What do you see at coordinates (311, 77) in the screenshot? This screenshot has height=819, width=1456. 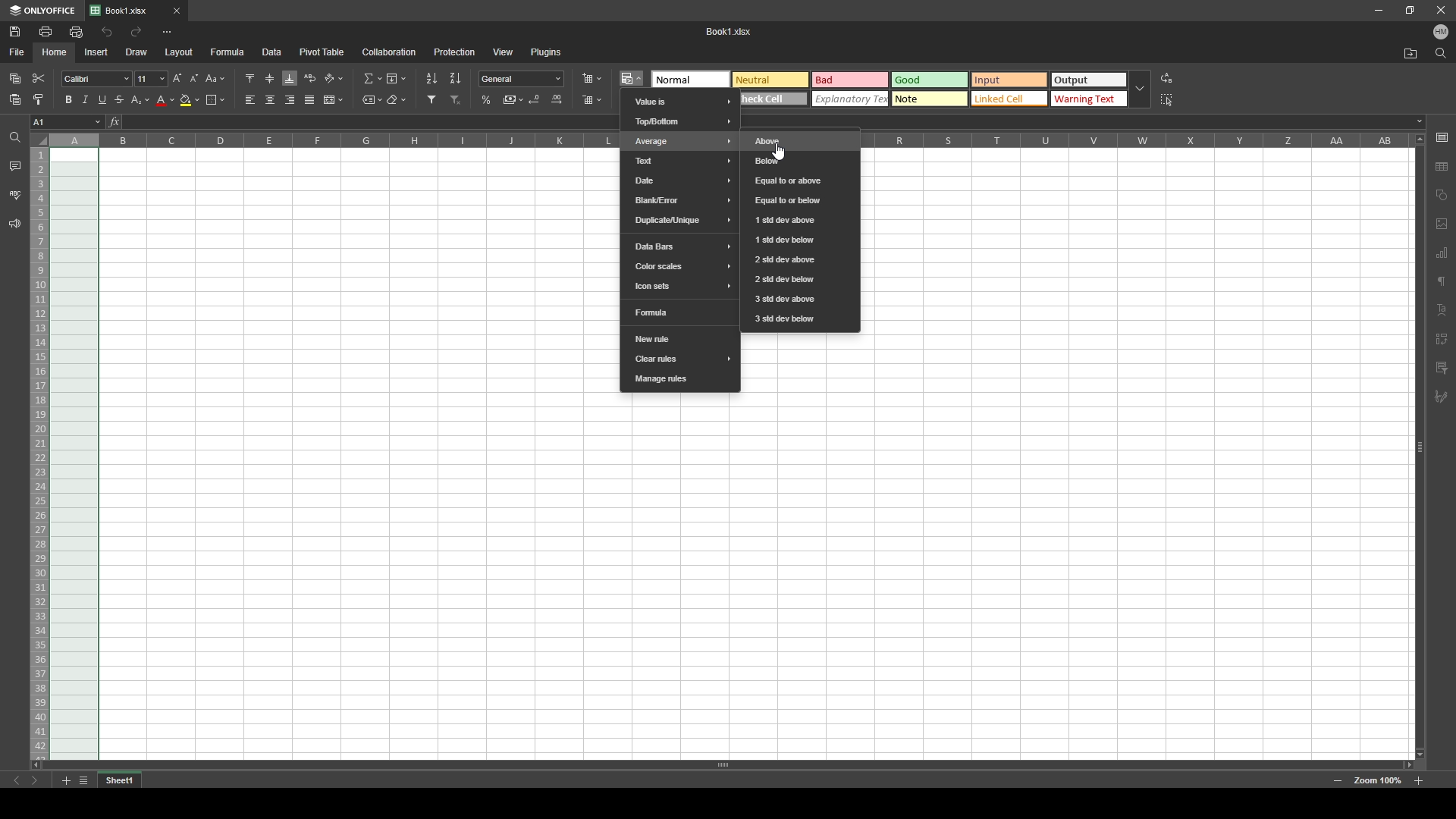 I see `wrap text` at bounding box center [311, 77].